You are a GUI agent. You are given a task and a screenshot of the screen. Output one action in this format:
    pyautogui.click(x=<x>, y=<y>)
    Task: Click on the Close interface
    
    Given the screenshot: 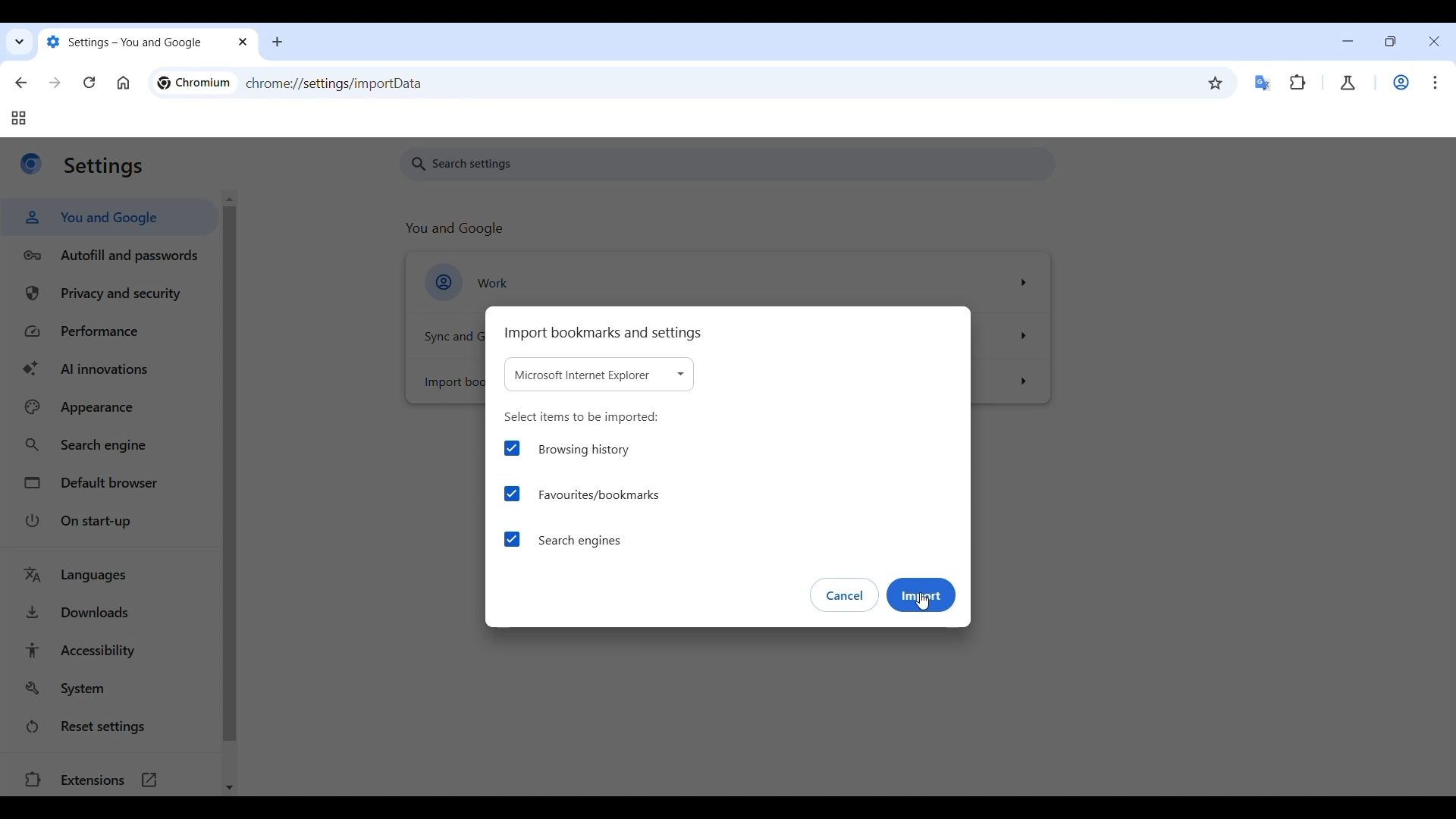 What is the action you would take?
    pyautogui.click(x=1435, y=41)
    